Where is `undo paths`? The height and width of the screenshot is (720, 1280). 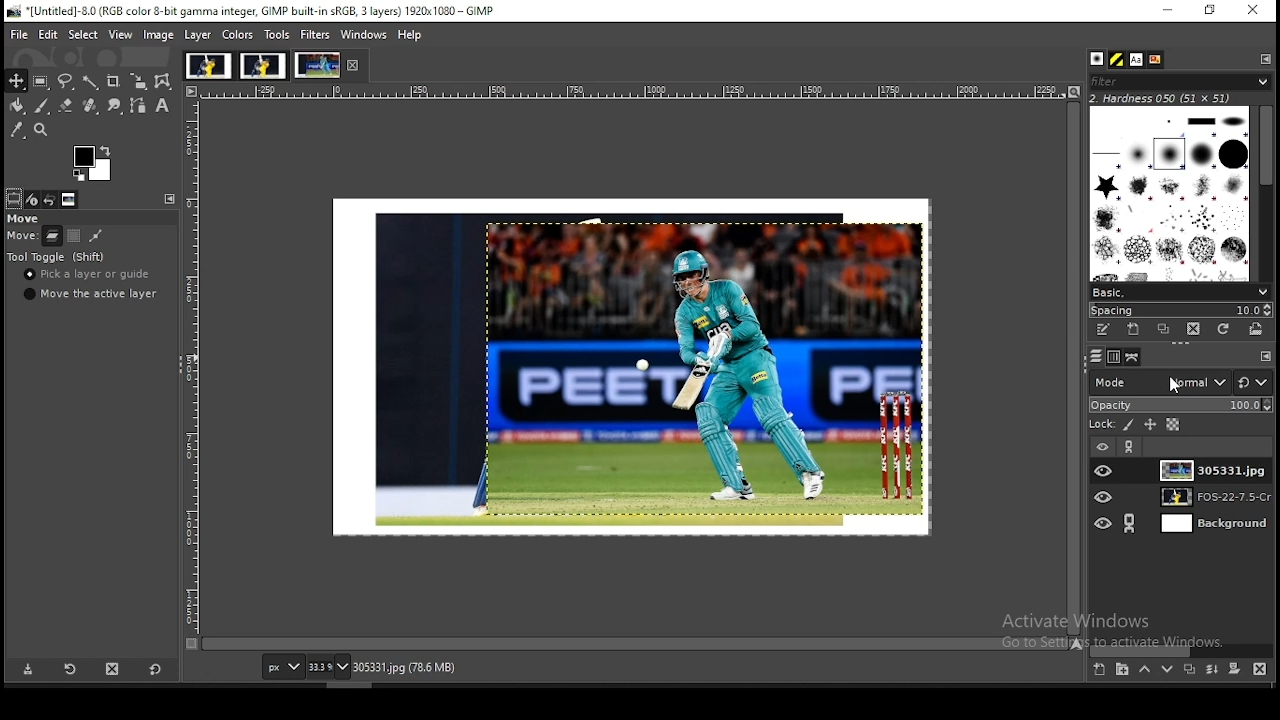
undo paths is located at coordinates (96, 235).